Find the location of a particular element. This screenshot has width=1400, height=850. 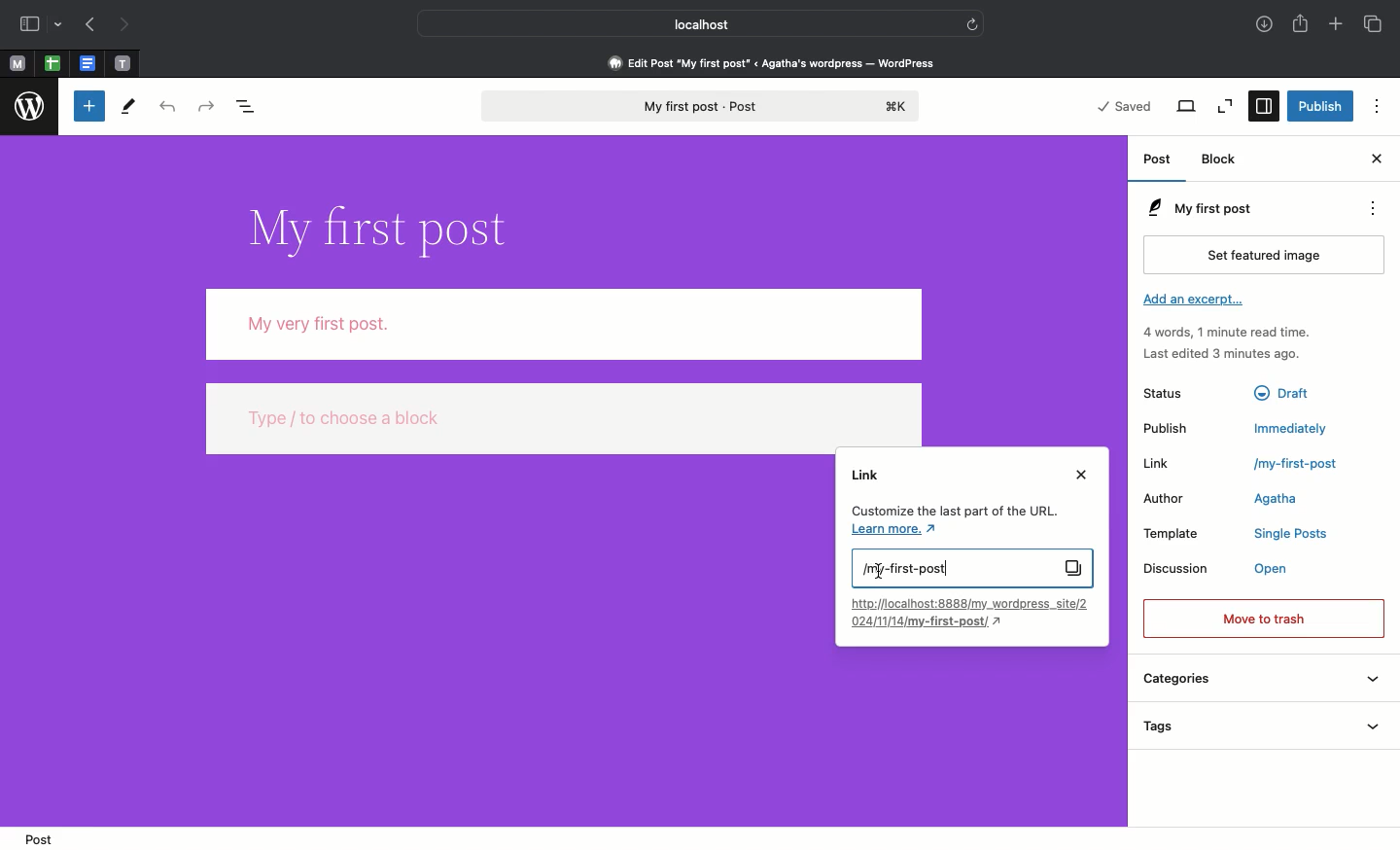

Close is located at coordinates (1079, 476).